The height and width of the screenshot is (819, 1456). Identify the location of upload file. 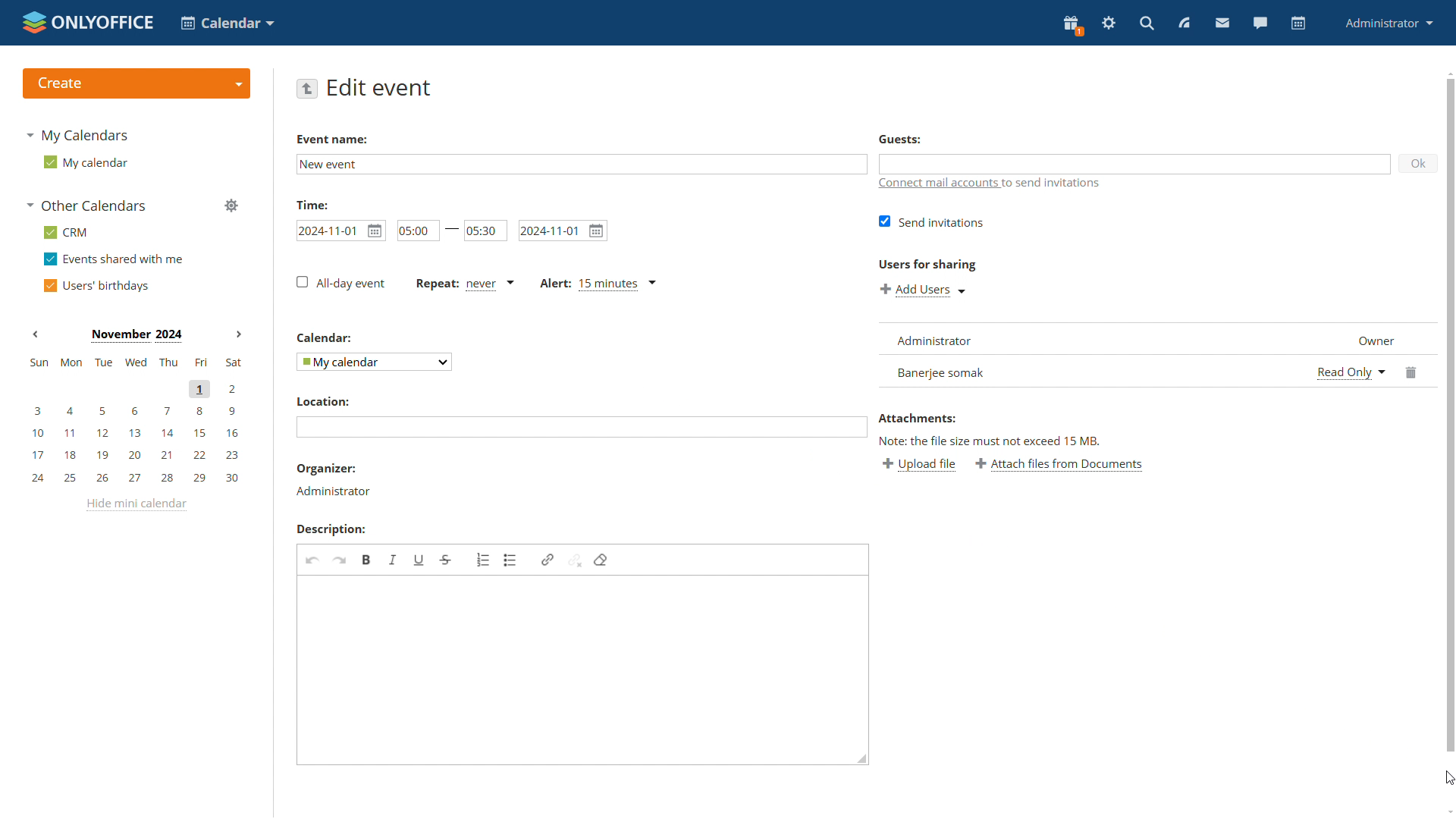
(918, 464).